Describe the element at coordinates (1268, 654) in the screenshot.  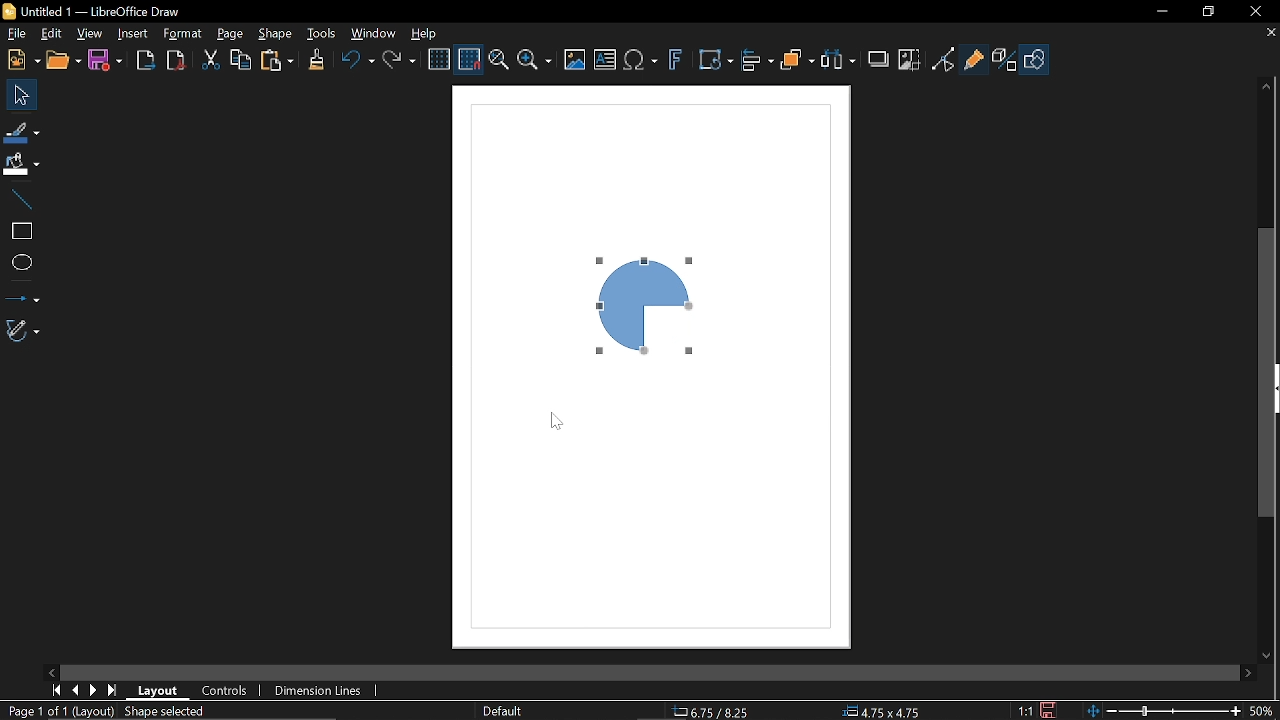
I see `Move down` at that location.